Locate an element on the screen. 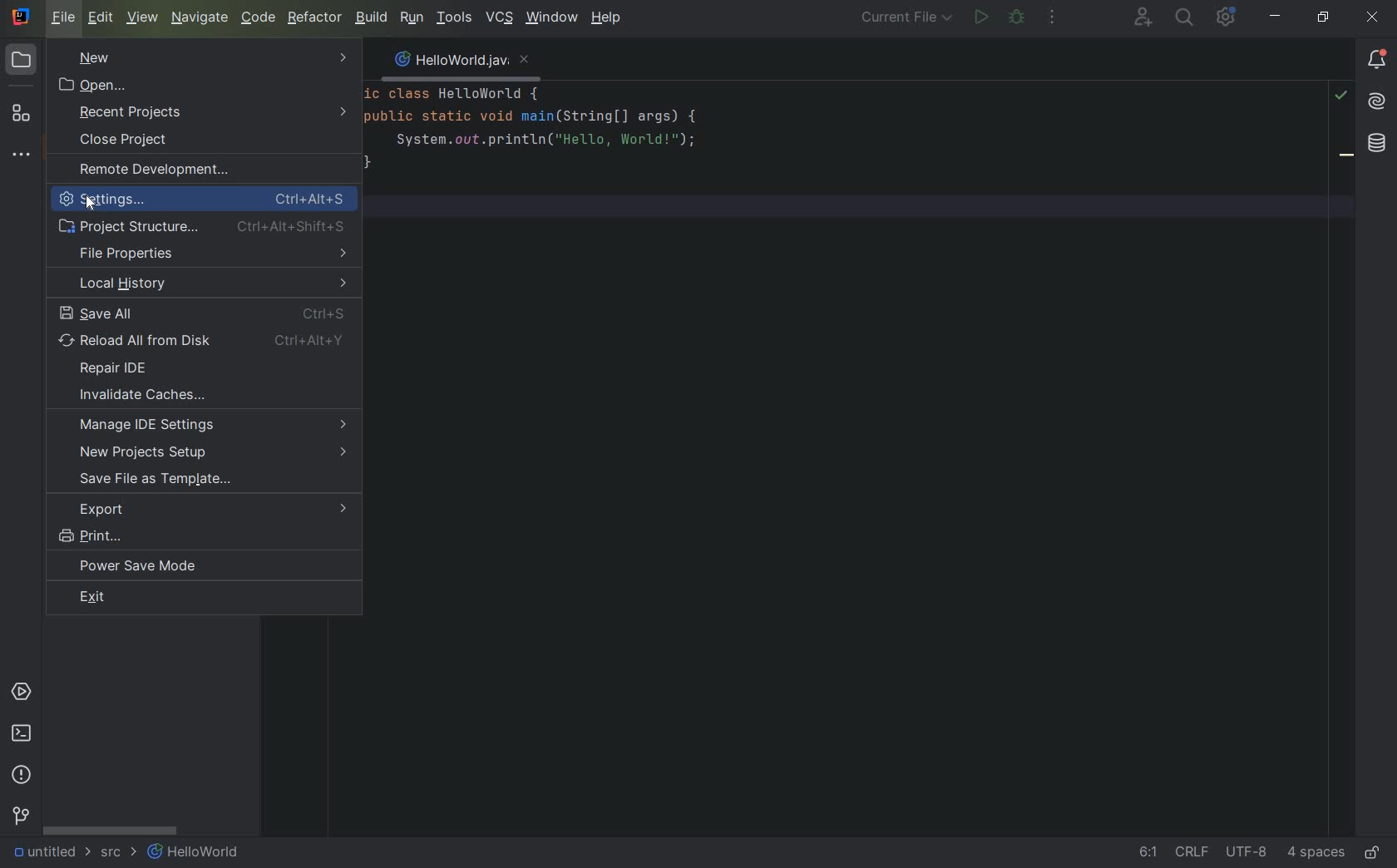  local history is located at coordinates (207, 284).